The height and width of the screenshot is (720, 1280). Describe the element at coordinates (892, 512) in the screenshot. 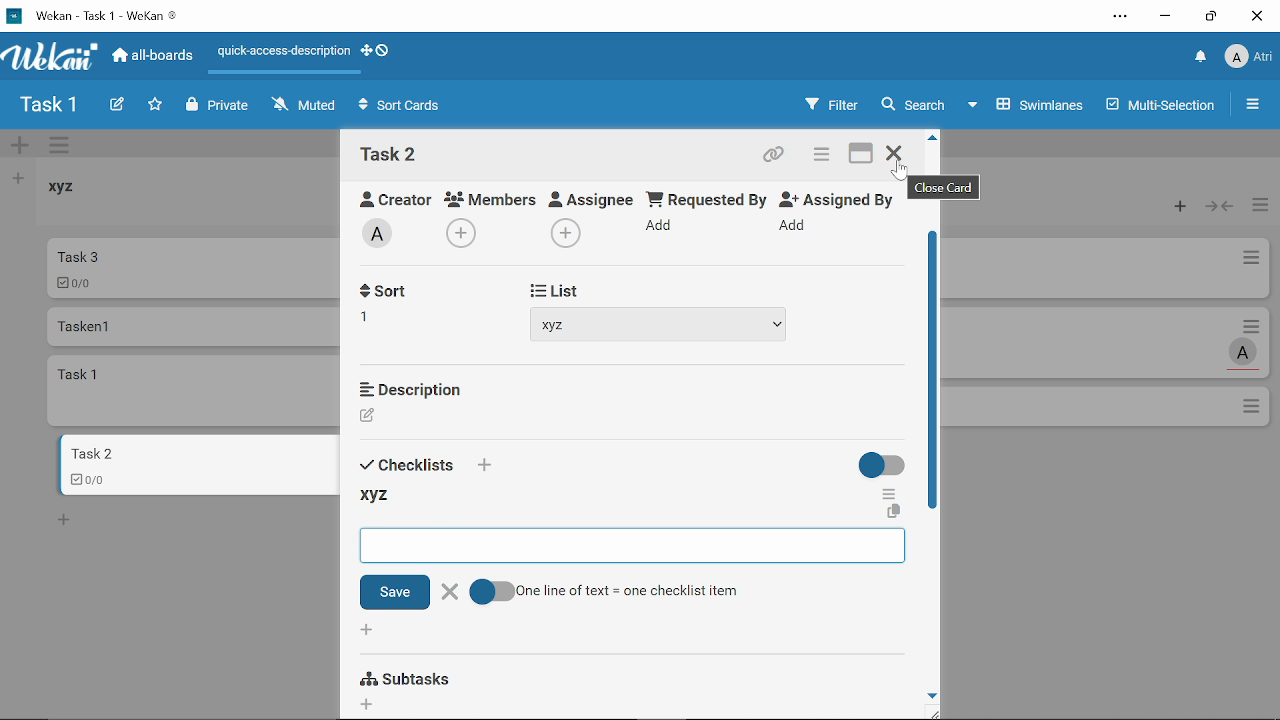

I see `Copy` at that location.